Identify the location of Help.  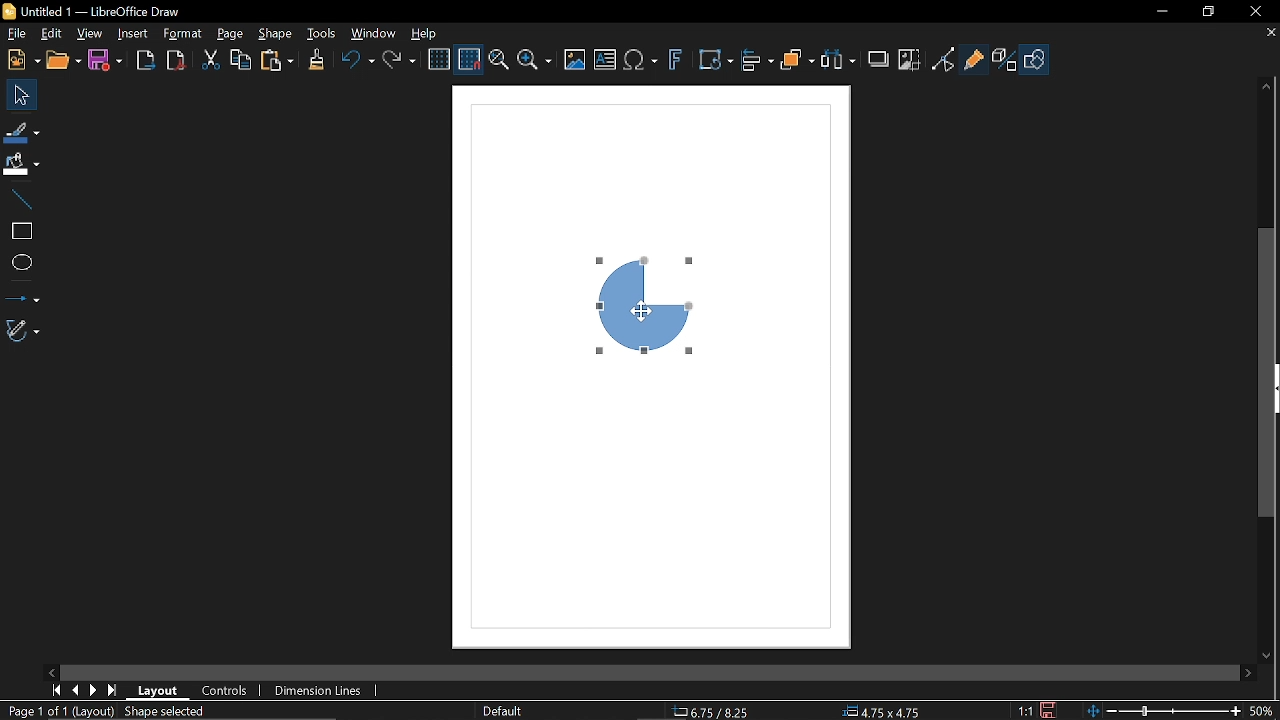
(430, 32).